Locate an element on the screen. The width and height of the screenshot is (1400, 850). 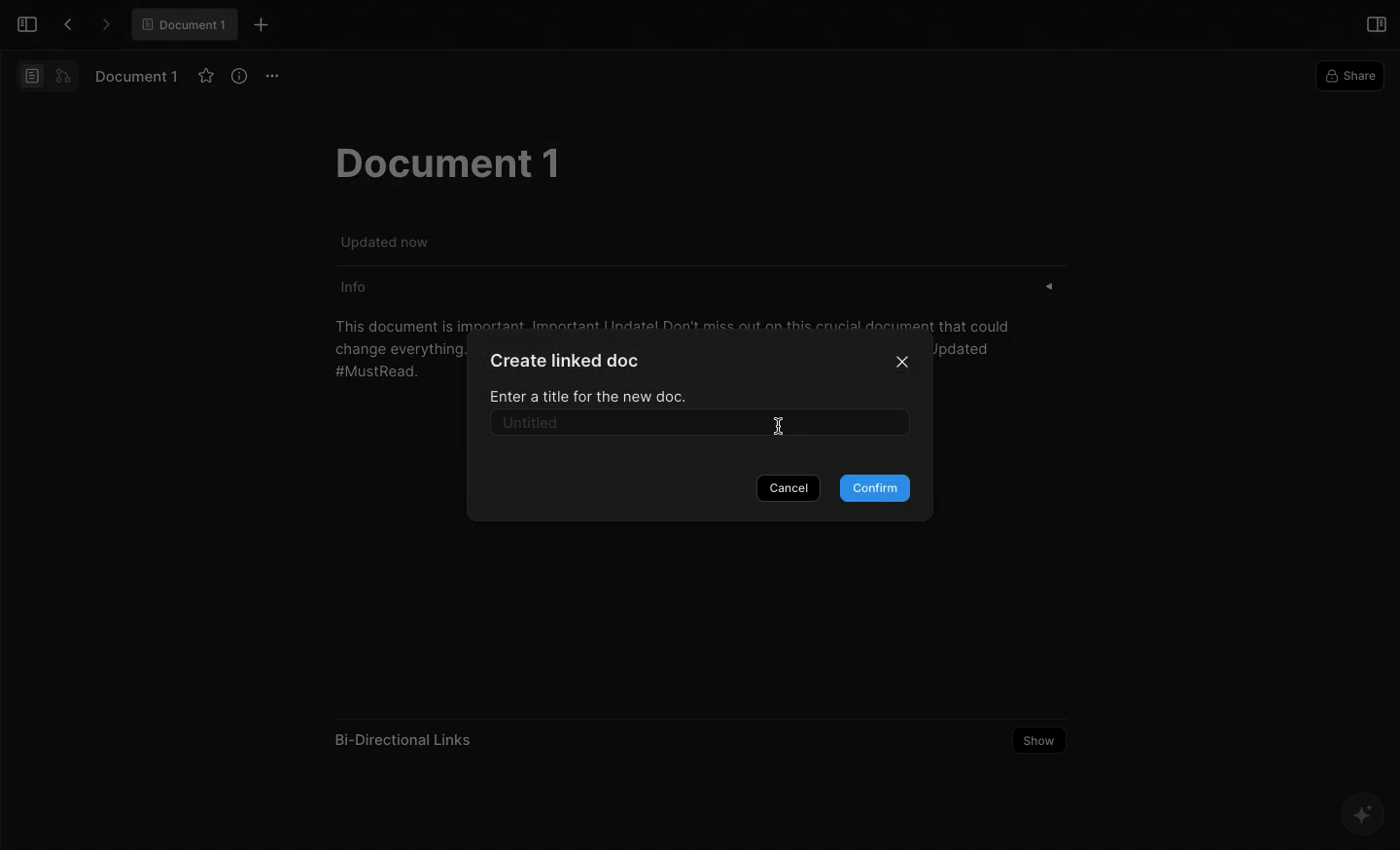
Cancel is located at coordinates (787, 487).